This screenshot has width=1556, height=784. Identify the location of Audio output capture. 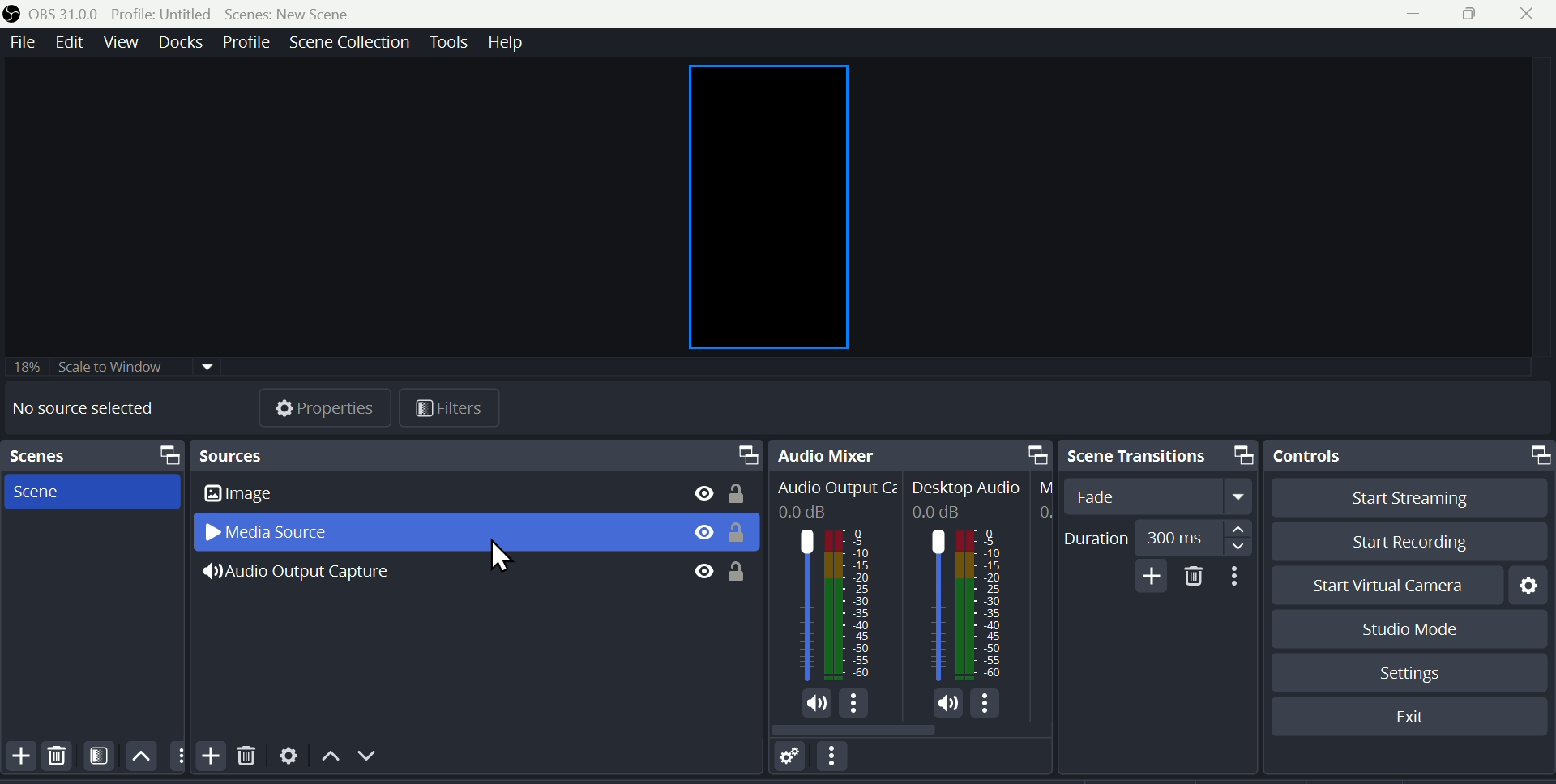
(316, 575).